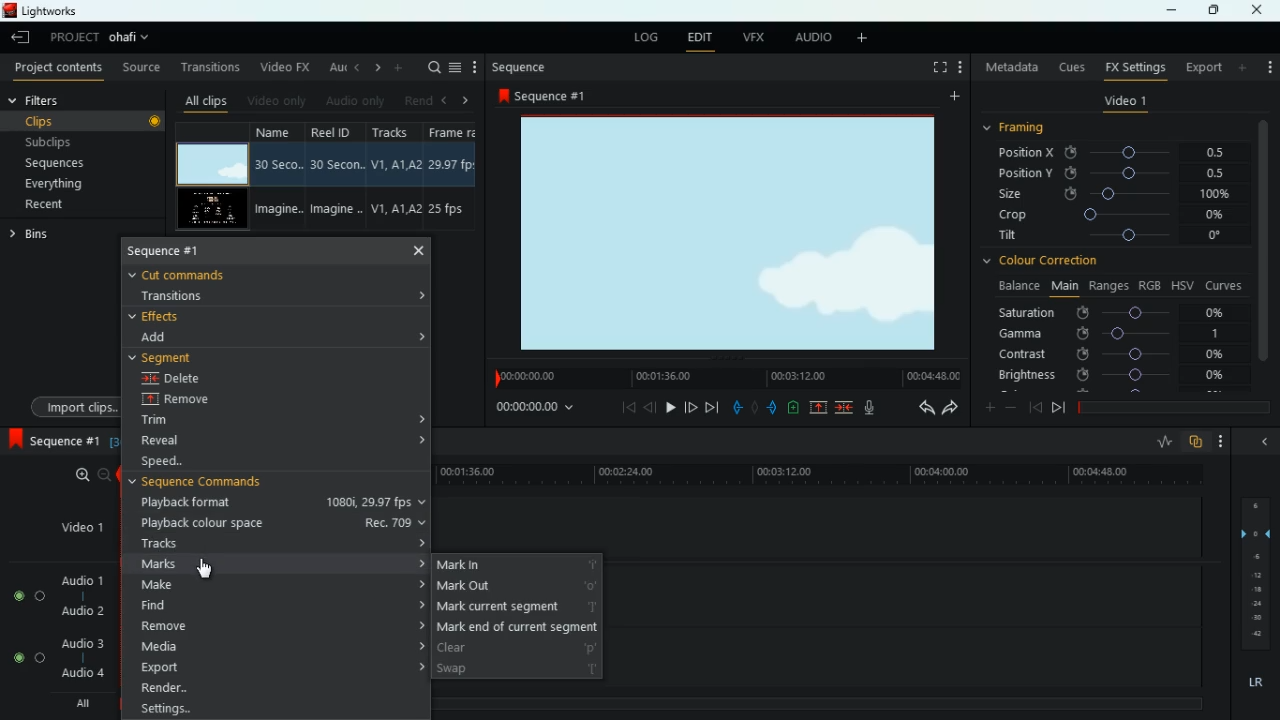  I want to click on mic, so click(869, 407).